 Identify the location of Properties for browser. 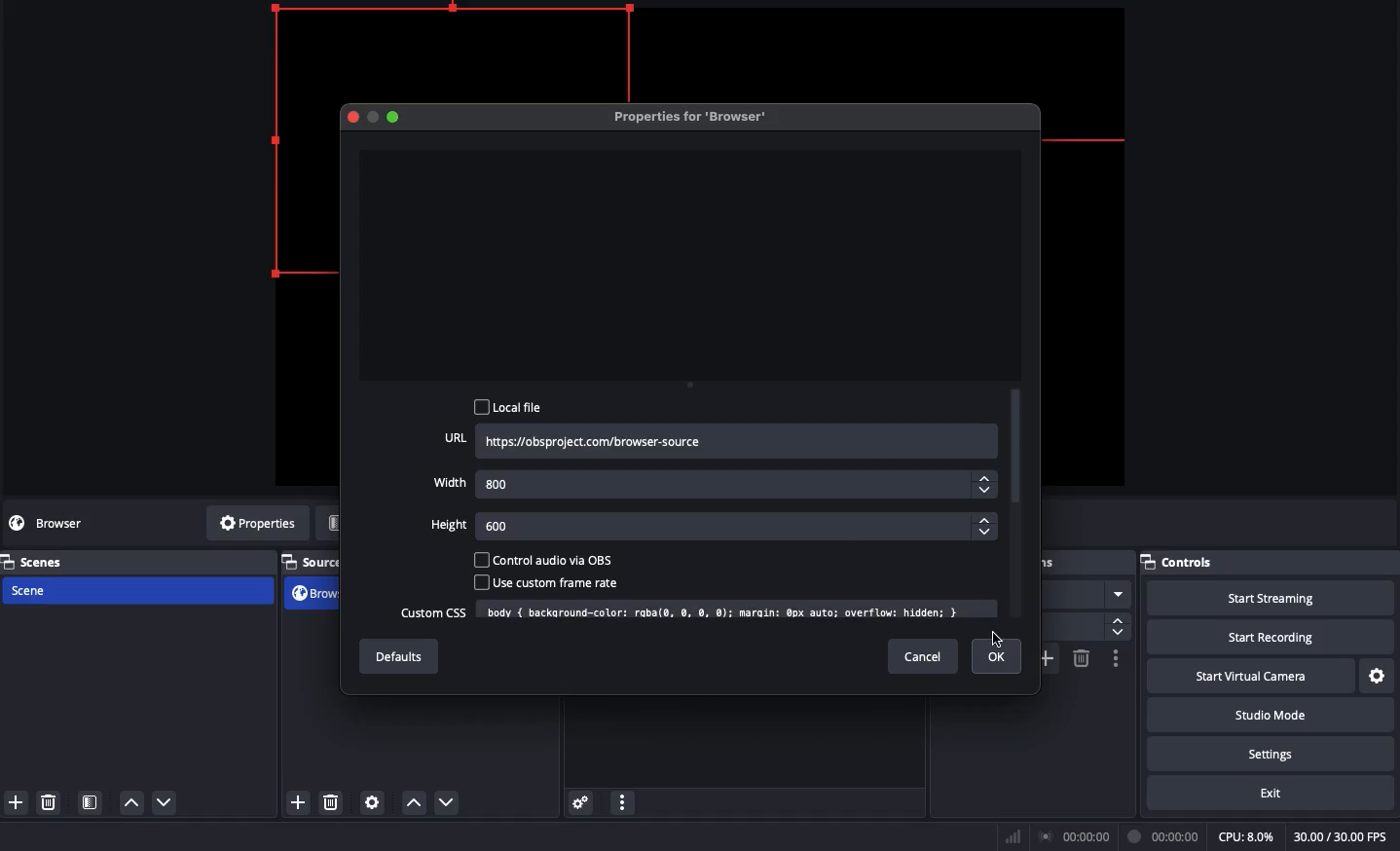
(695, 118).